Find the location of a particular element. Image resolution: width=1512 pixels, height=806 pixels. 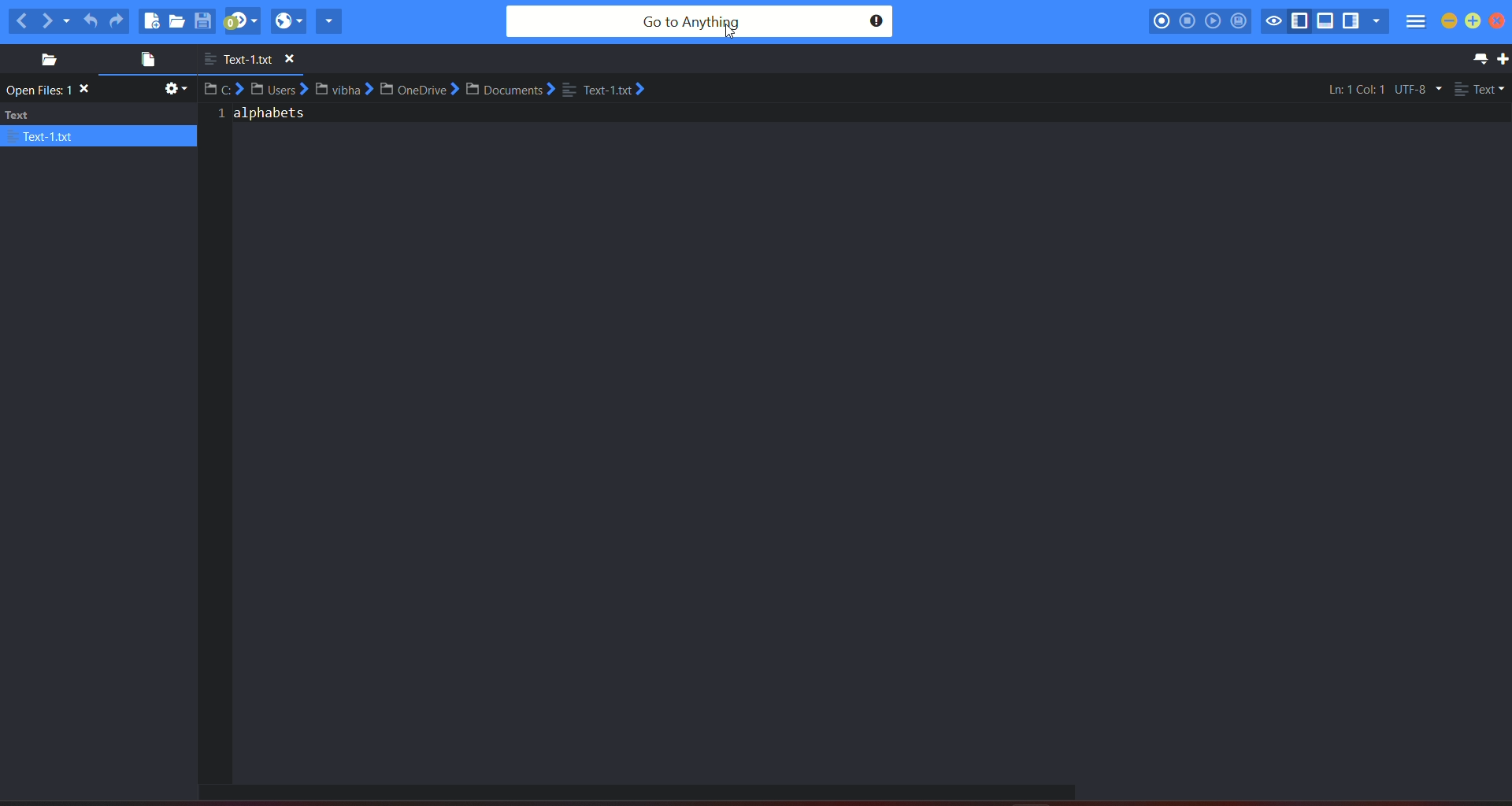

show/hide right pane is located at coordinates (1351, 23).